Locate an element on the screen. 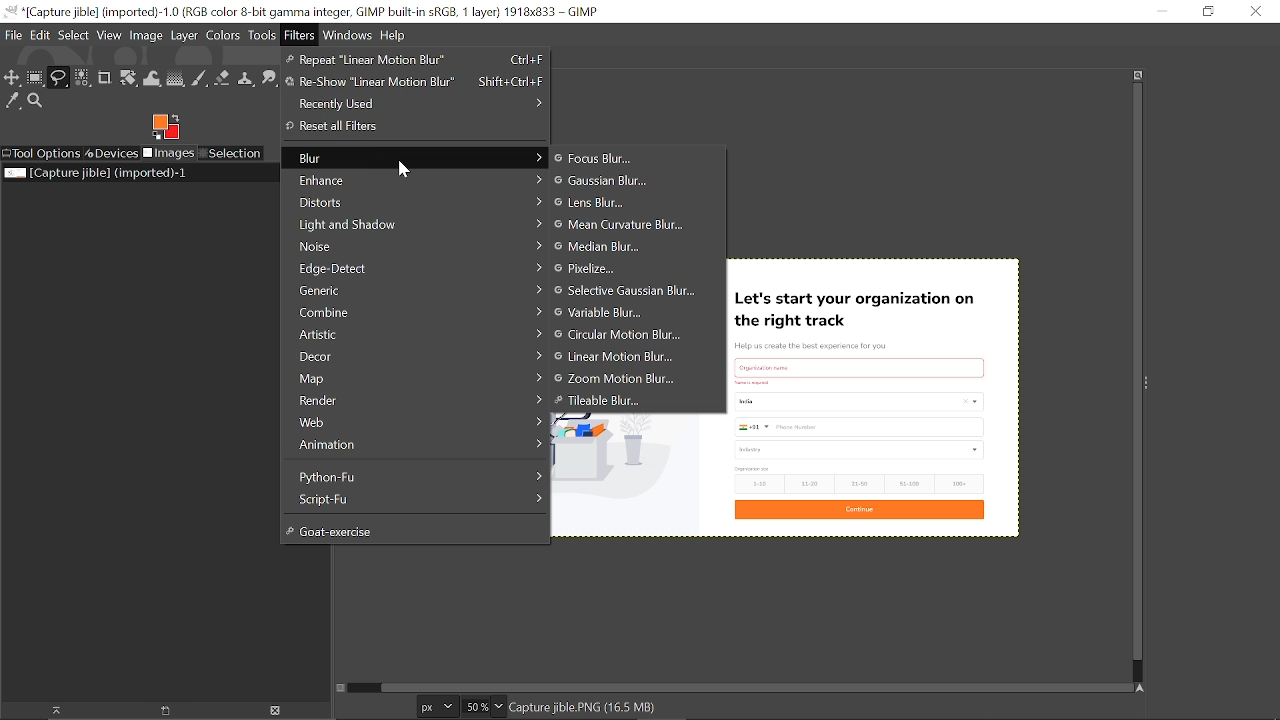 Image resolution: width=1280 pixels, height=720 pixels. Zoom tool is located at coordinates (38, 103).